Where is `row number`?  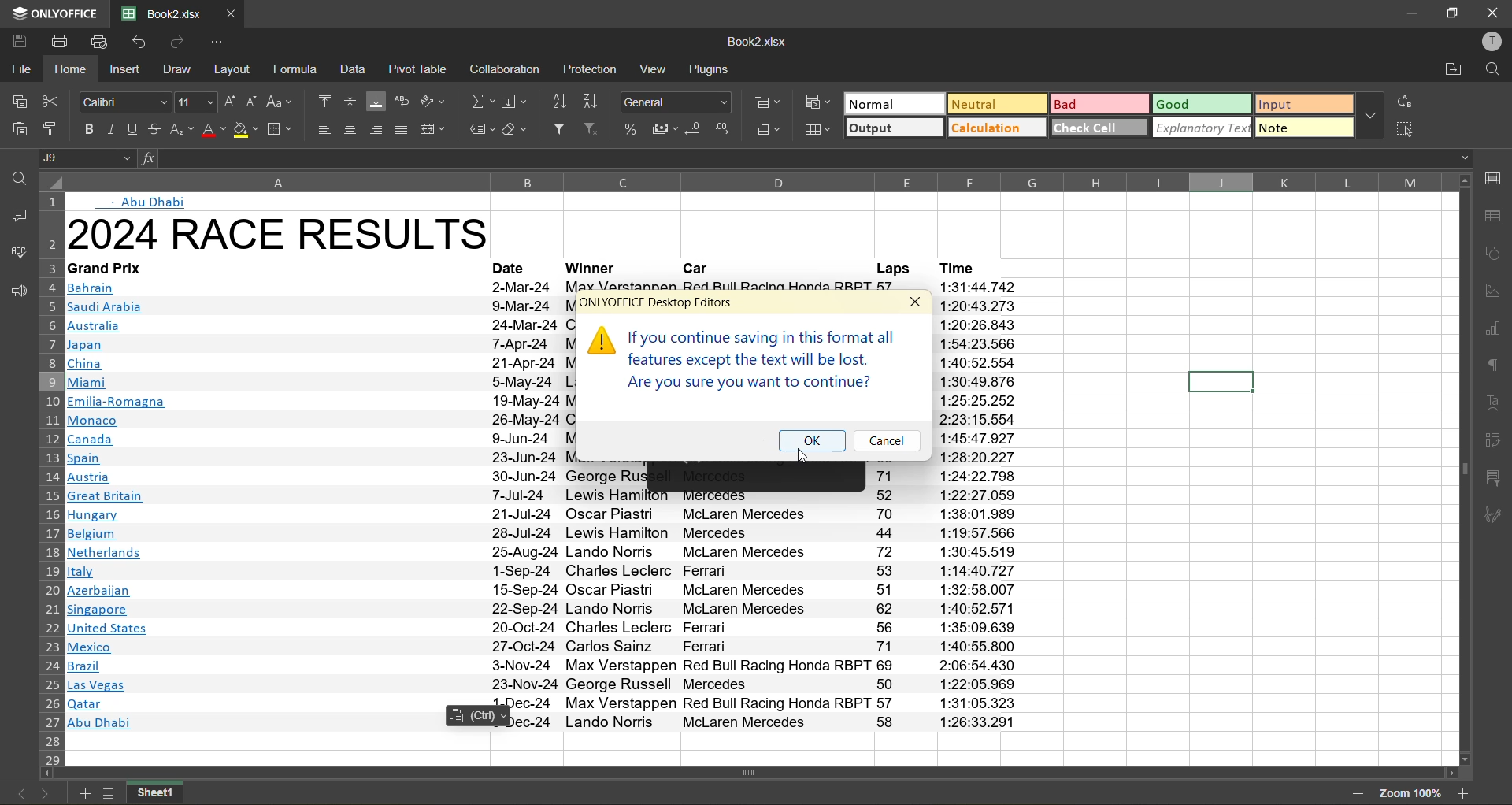
row number is located at coordinates (50, 477).